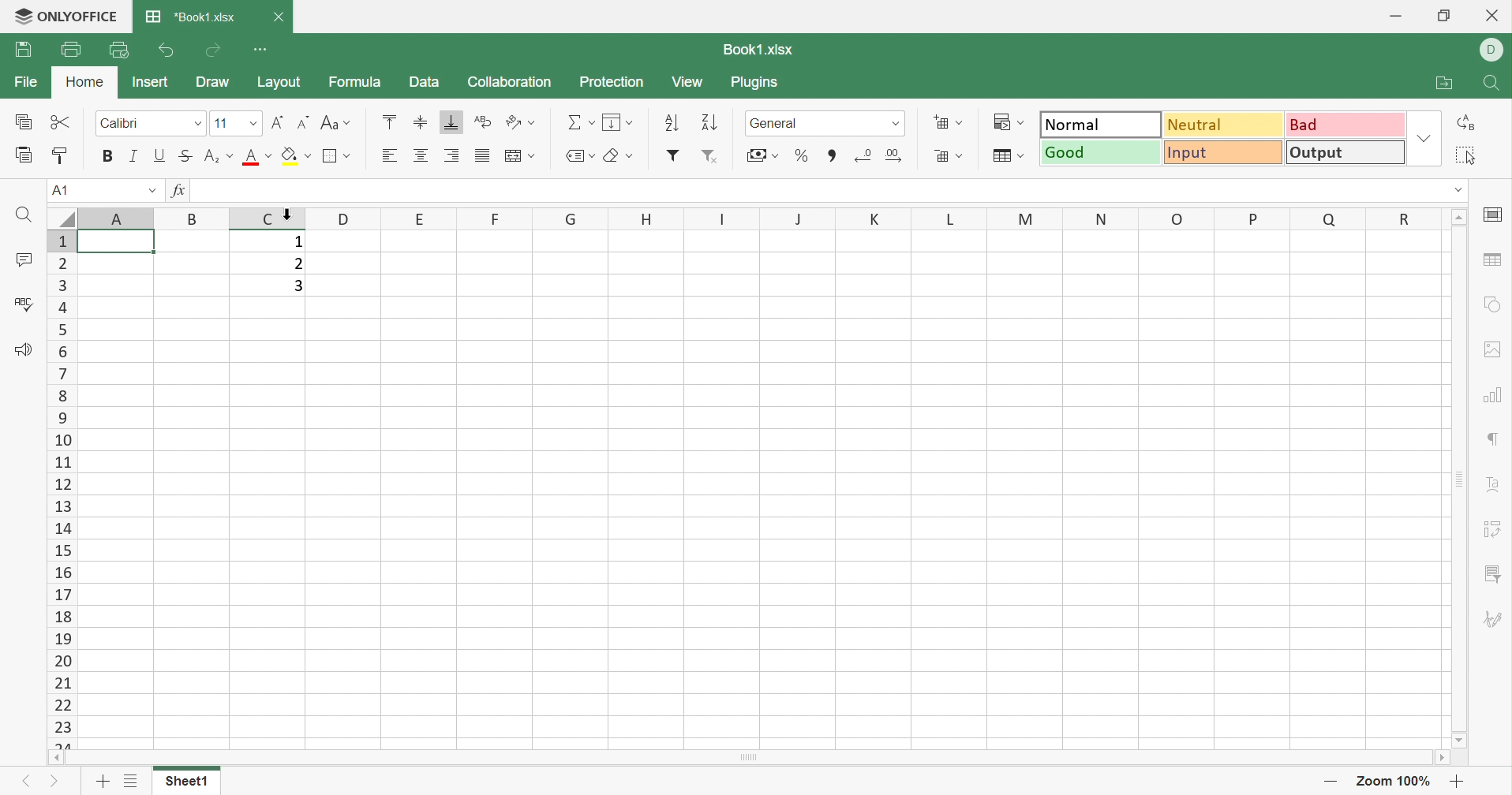 The image size is (1512, 795). I want to click on Sheet1, so click(189, 785).